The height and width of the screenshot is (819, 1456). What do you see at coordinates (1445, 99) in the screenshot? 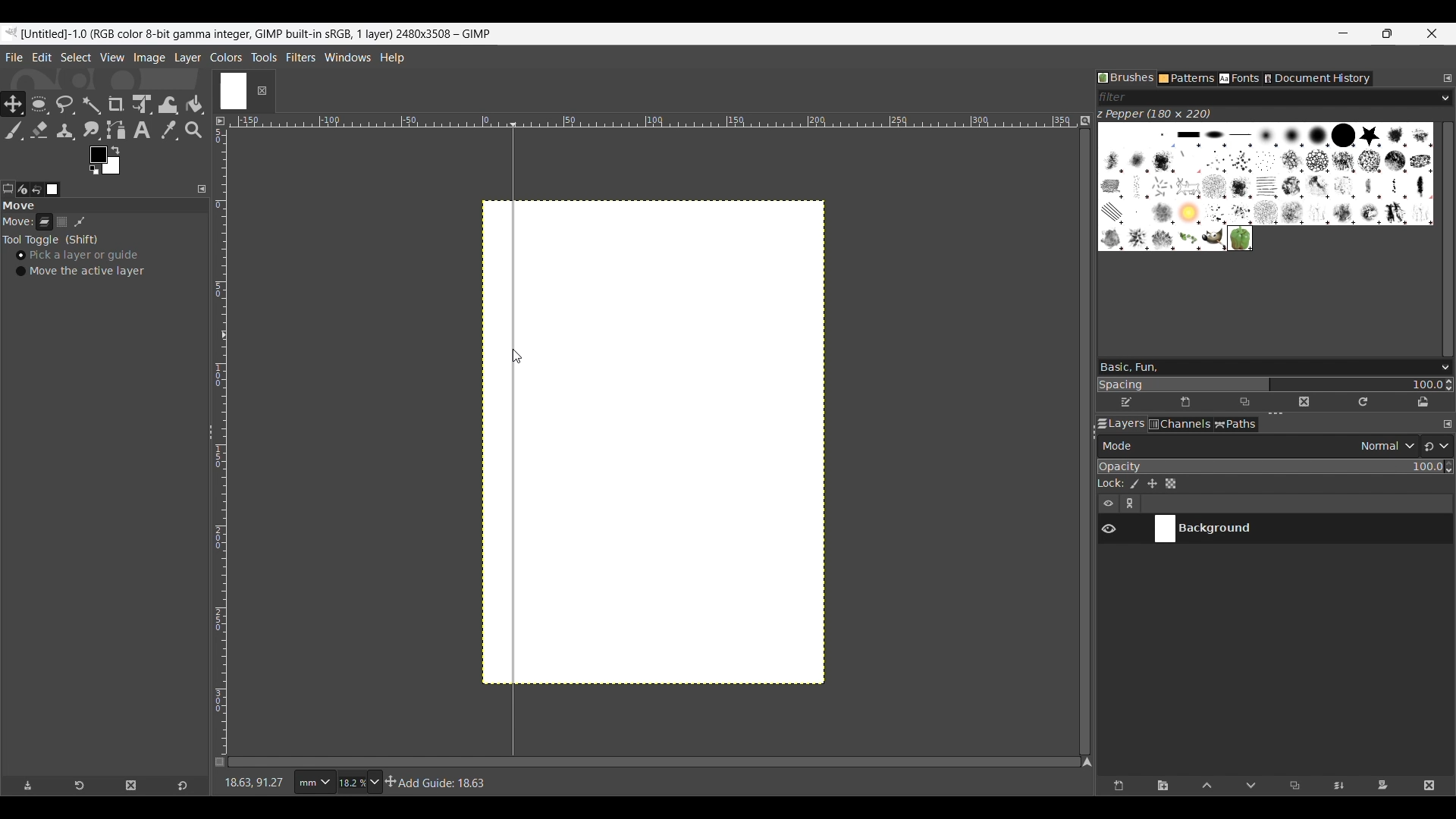
I see `Brush filter options` at bounding box center [1445, 99].